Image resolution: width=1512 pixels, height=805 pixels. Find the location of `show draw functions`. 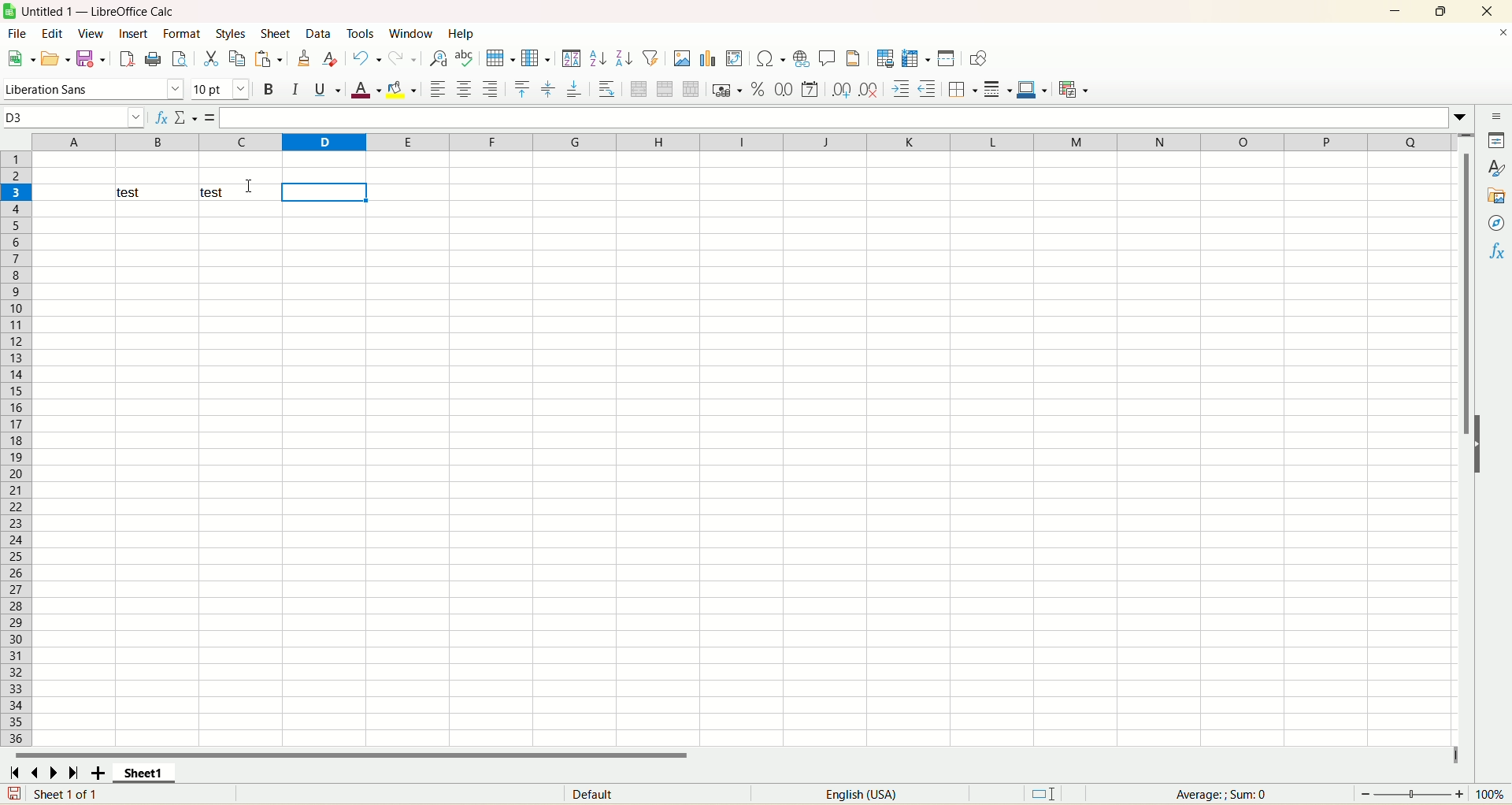

show draw functions is located at coordinates (978, 58).